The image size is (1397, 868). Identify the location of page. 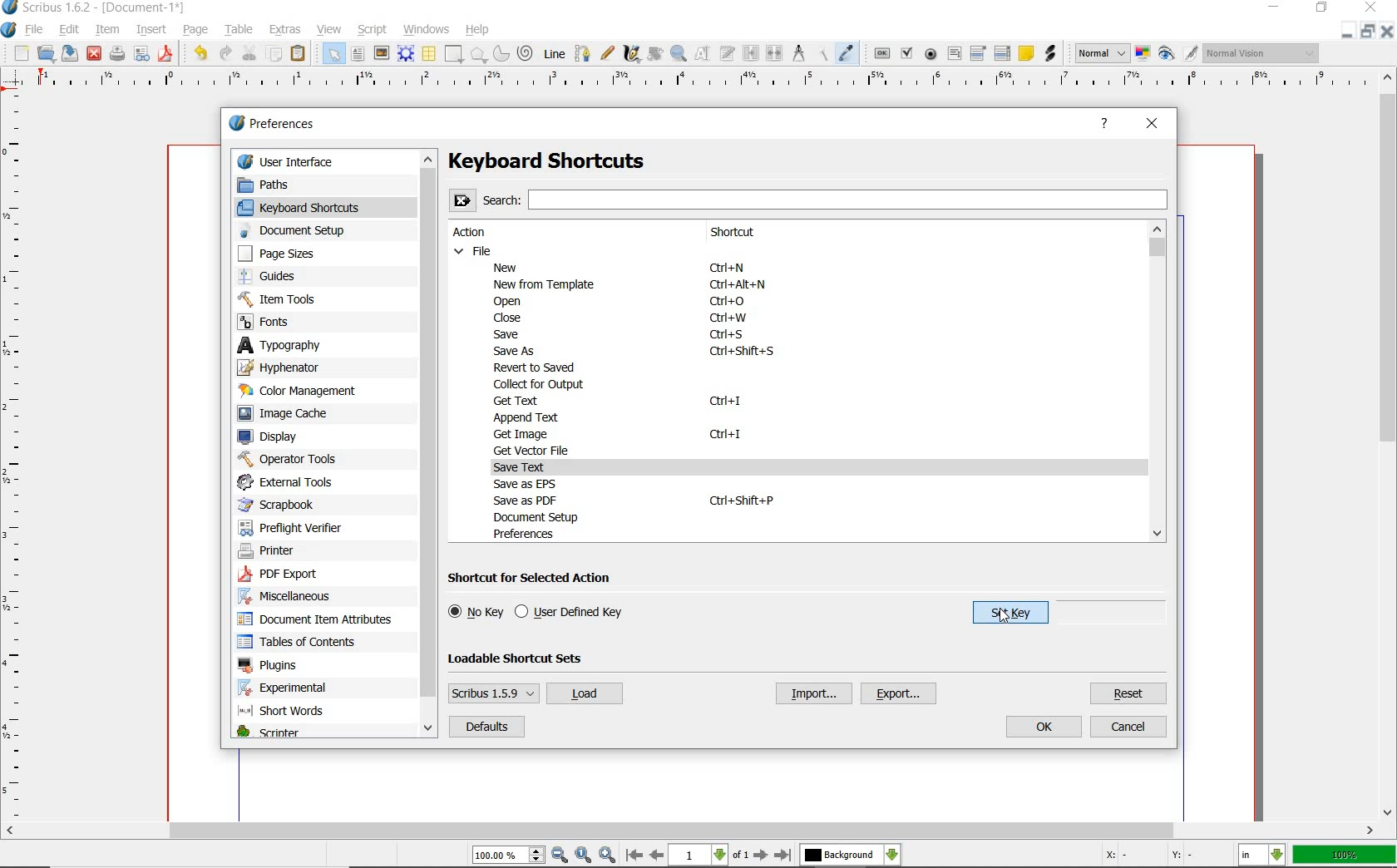
(195, 30).